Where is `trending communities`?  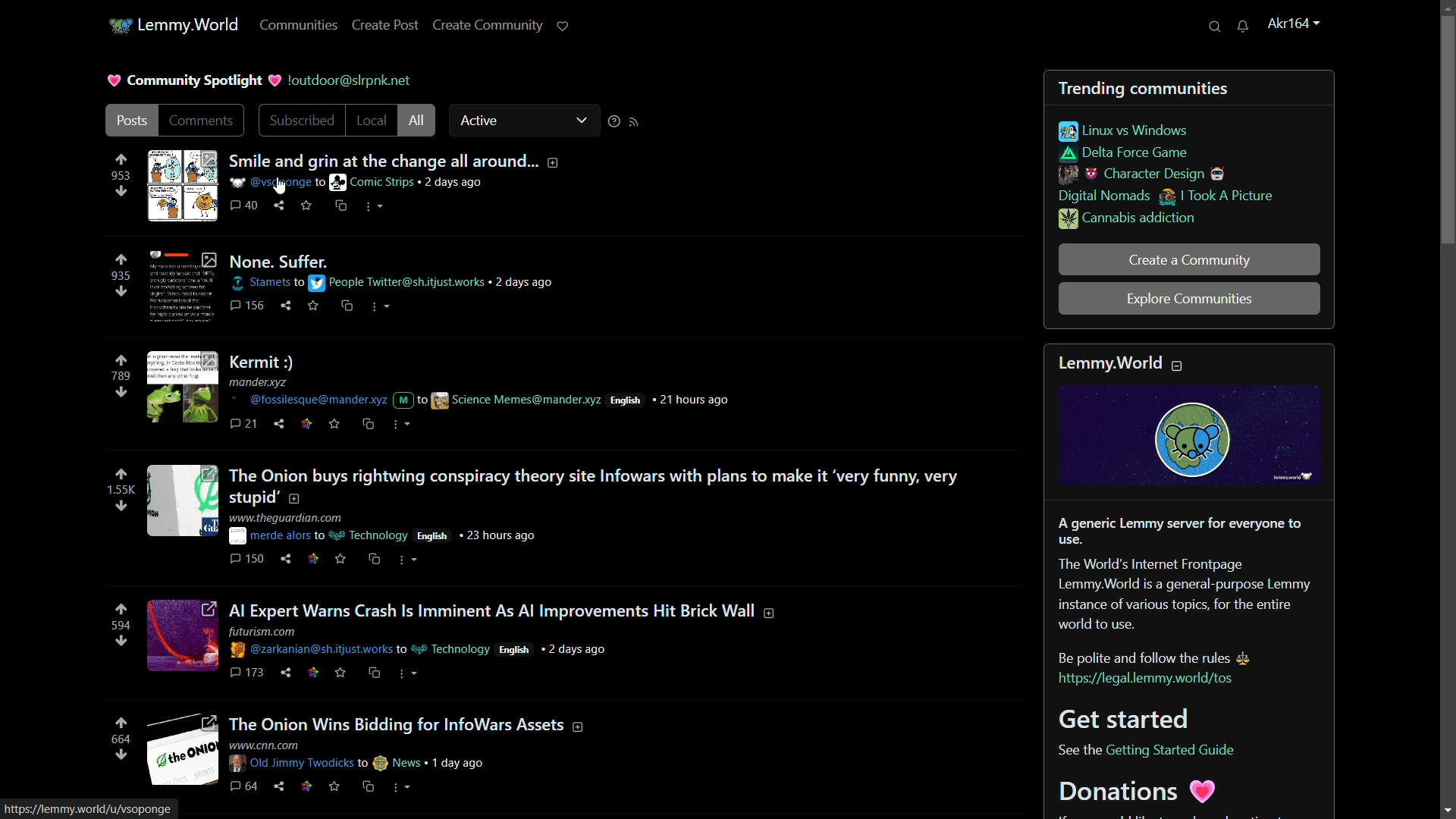 trending communities is located at coordinates (1144, 90).